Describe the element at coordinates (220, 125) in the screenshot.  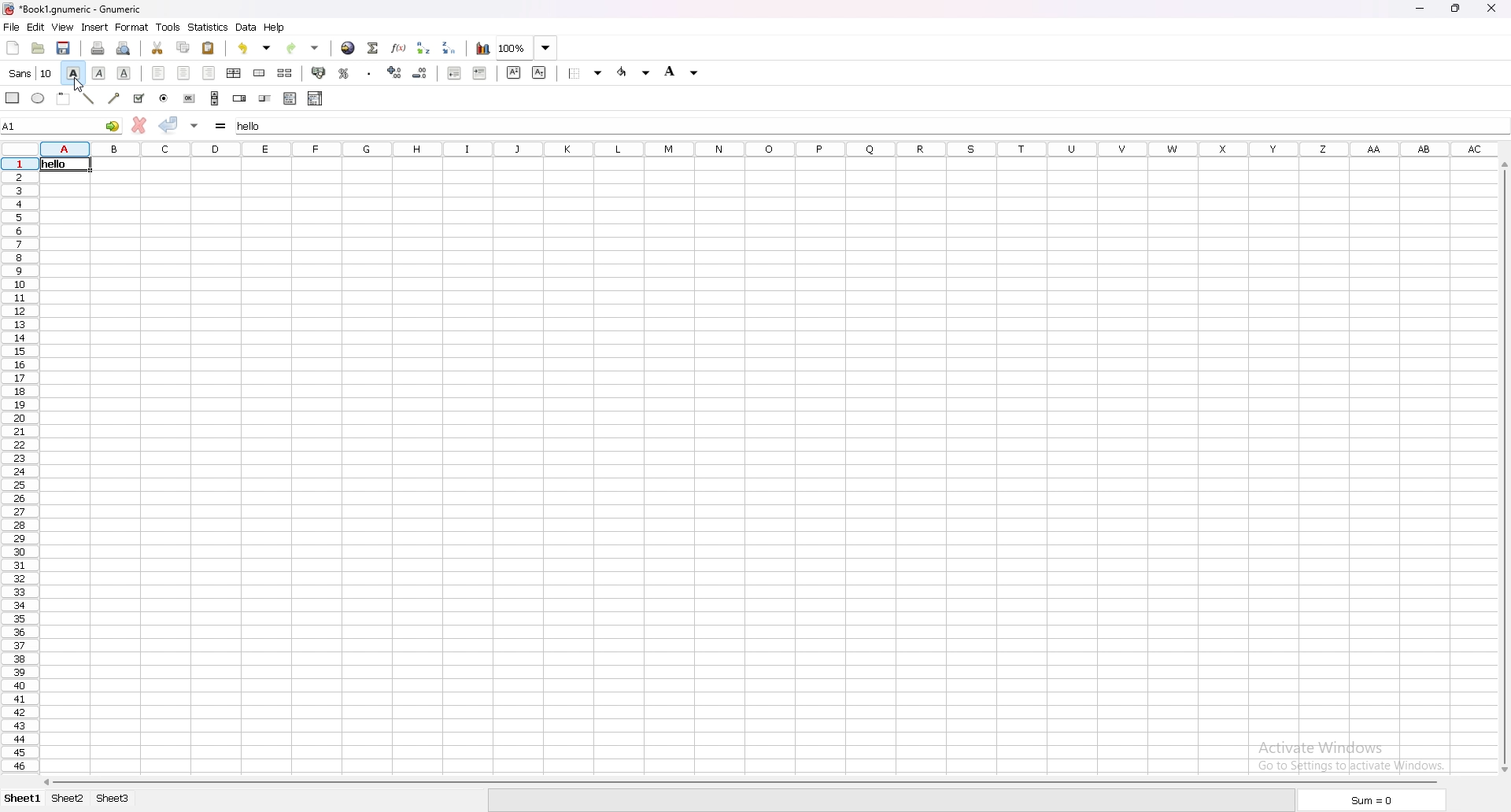
I see `formula` at that location.